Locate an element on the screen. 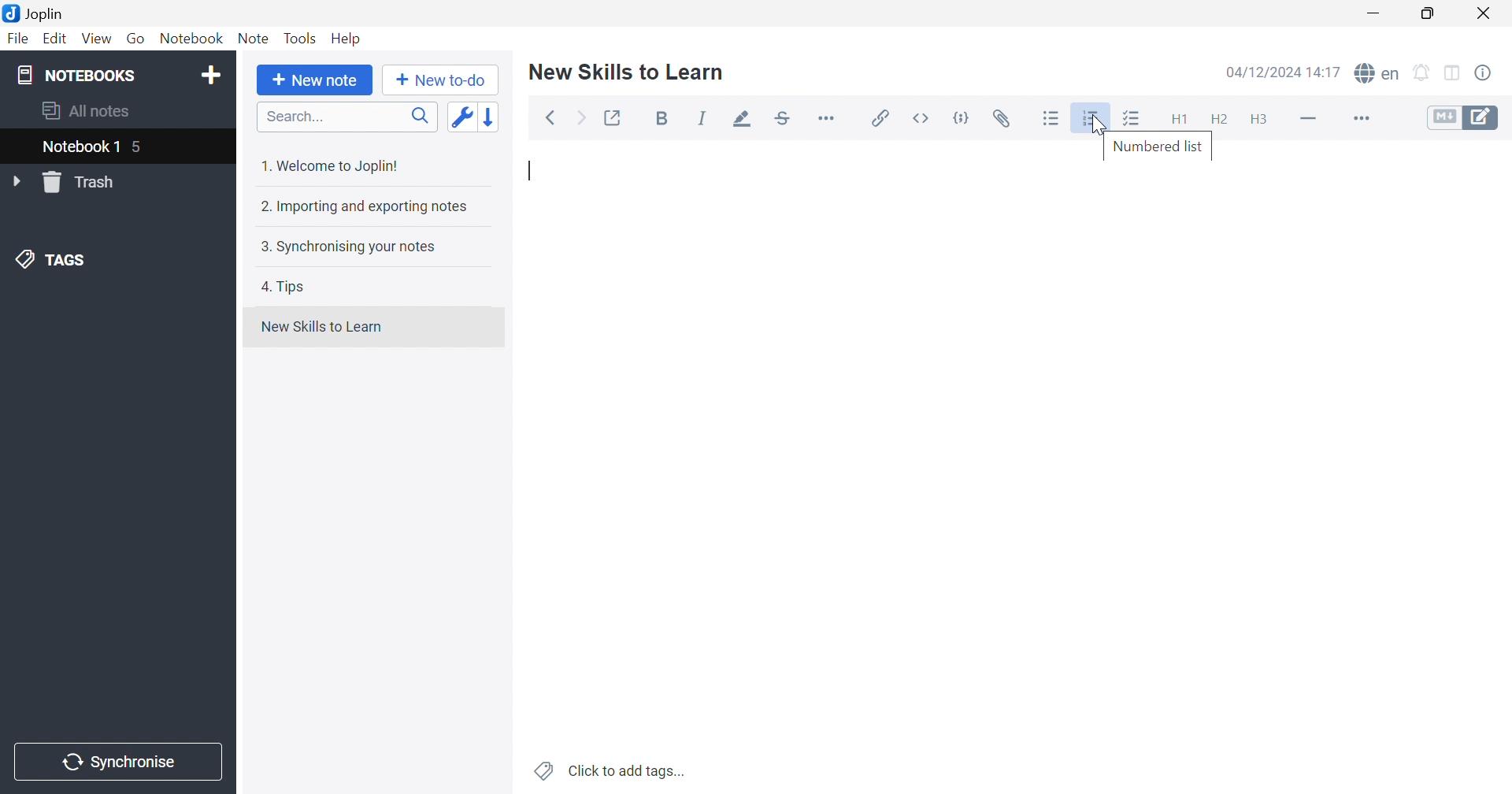  1. Welcome to Joplin is located at coordinates (328, 165).